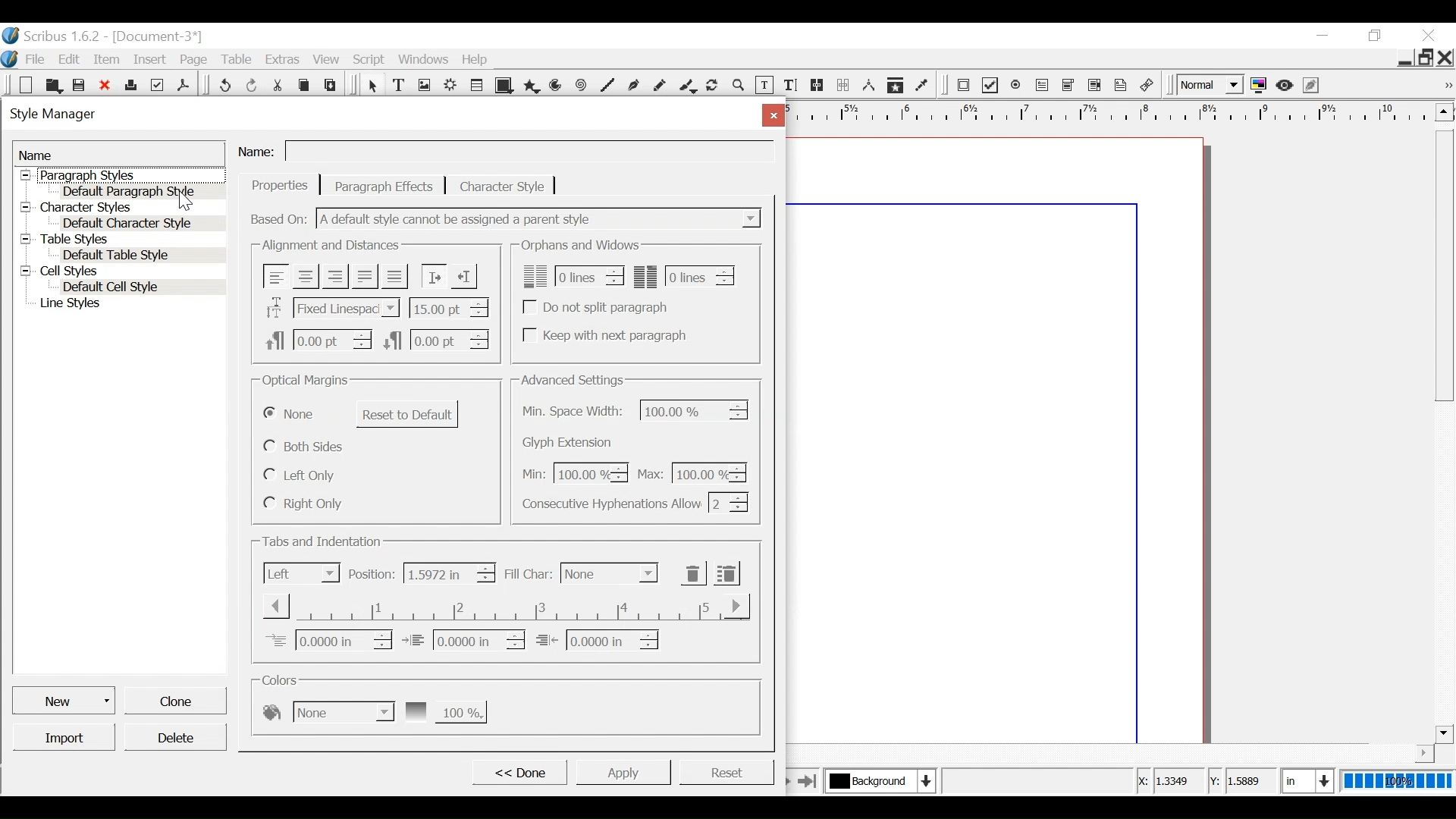 This screenshot has width=1456, height=819. Describe the element at coordinates (532, 86) in the screenshot. I see `Polygon ` at that location.